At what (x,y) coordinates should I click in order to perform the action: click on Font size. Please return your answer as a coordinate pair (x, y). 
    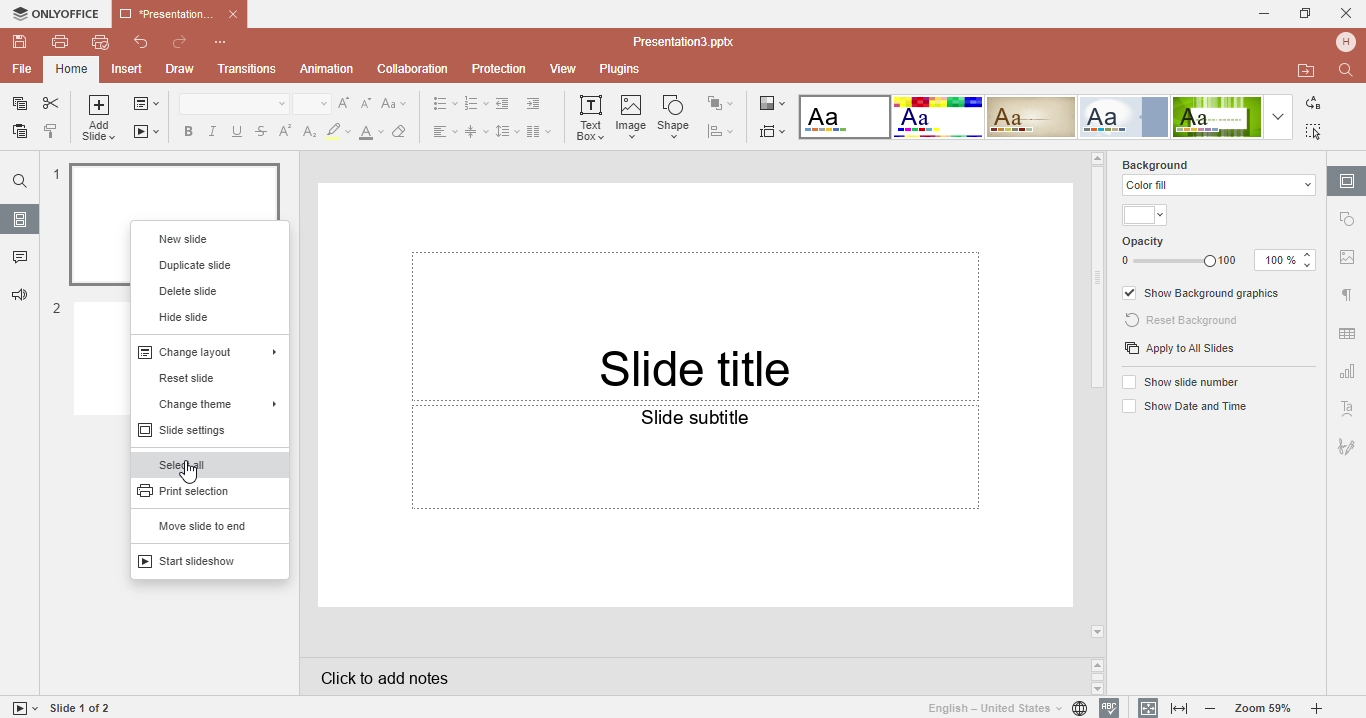
    Looking at the image, I should click on (313, 104).